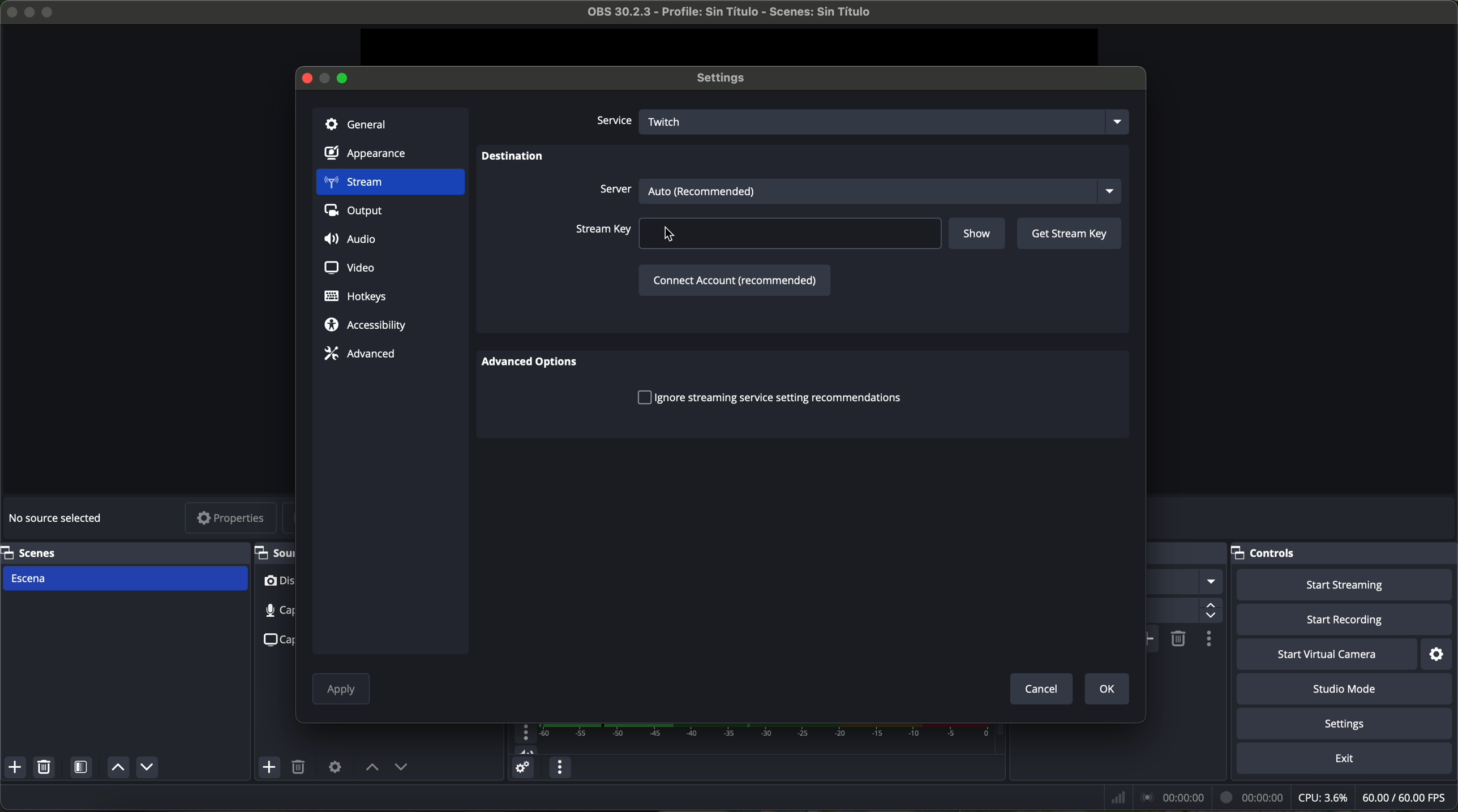 The width and height of the screenshot is (1458, 812). What do you see at coordinates (1104, 688) in the screenshot?
I see `OK` at bounding box center [1104, 688].